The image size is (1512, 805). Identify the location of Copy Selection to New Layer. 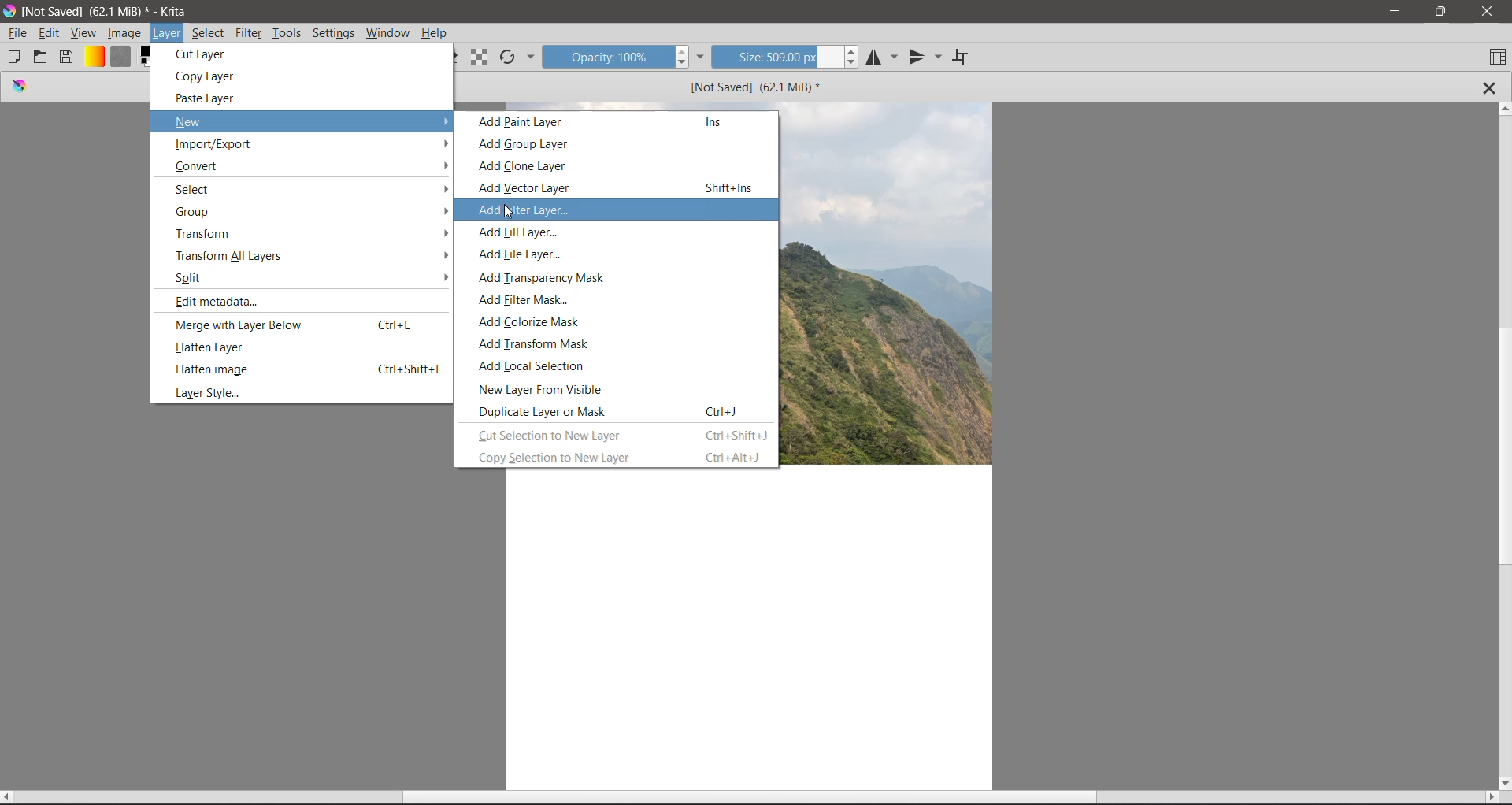
(620, 457).